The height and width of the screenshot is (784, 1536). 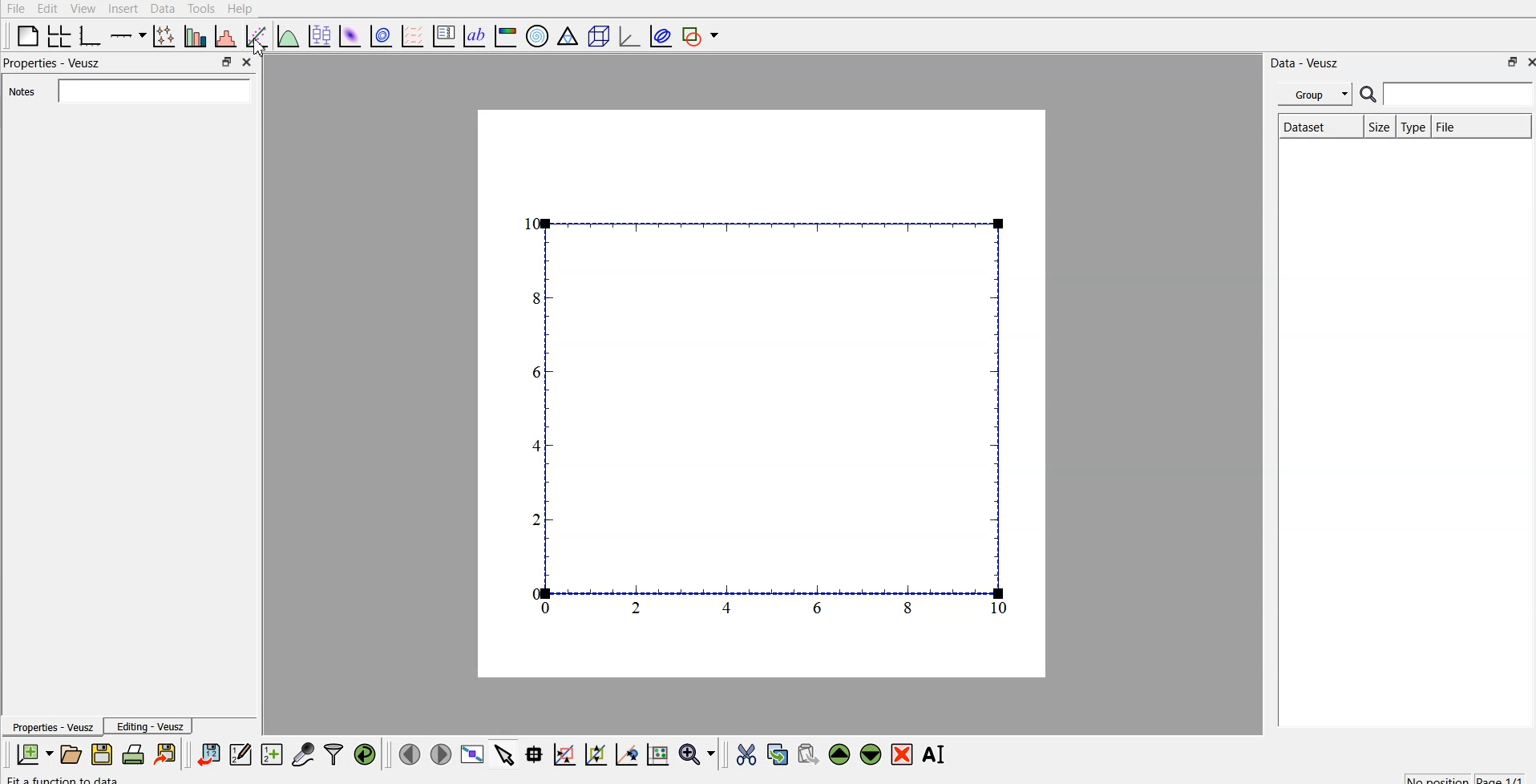 I want to click on plot a vector field, so click(x=412, y=37).